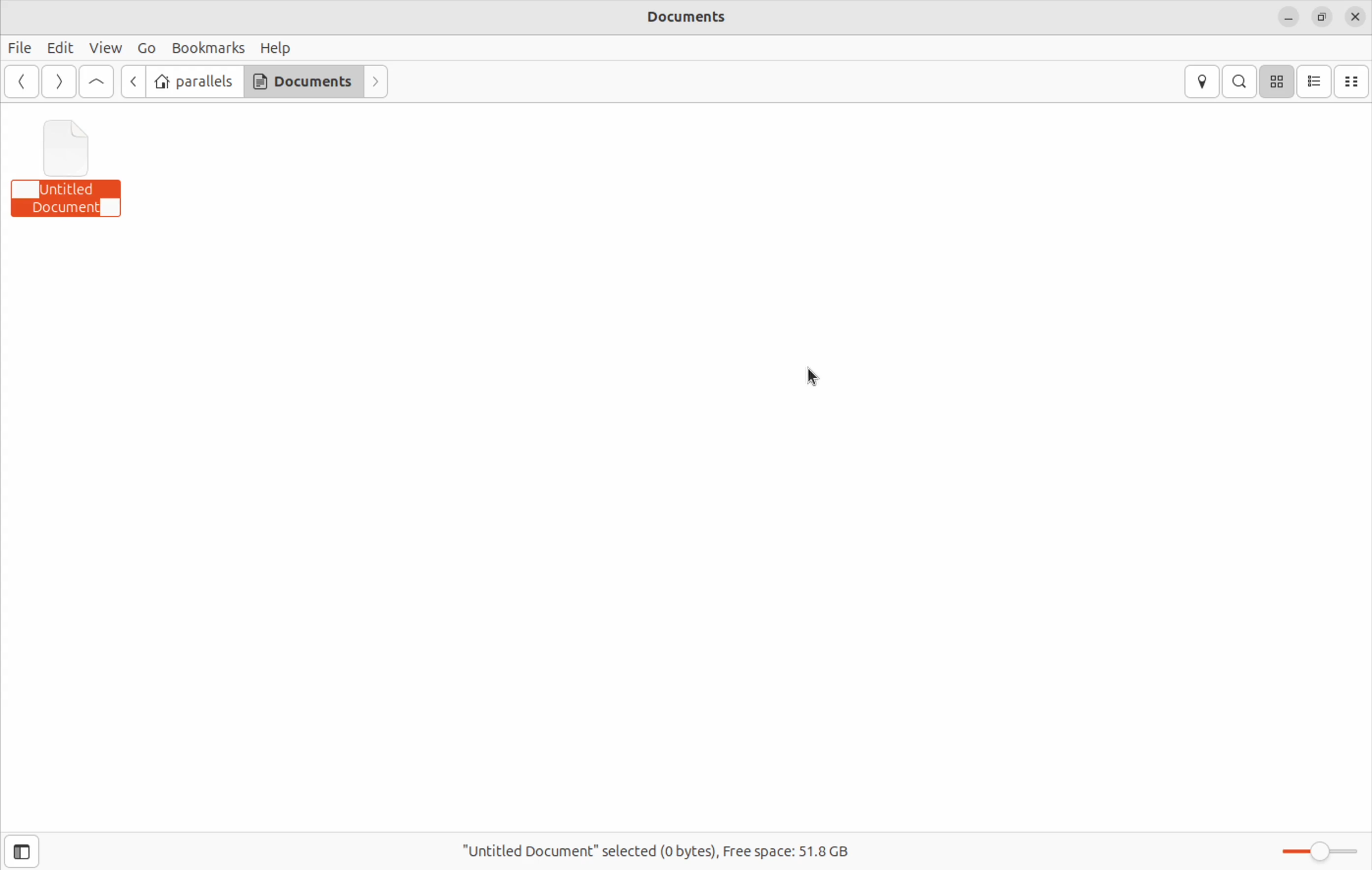 Image resolution: width=1372 pixels, height=870 pixels. Describe the element at coordinates (59, 48) in the screenshot. I see `Edit` at that location.